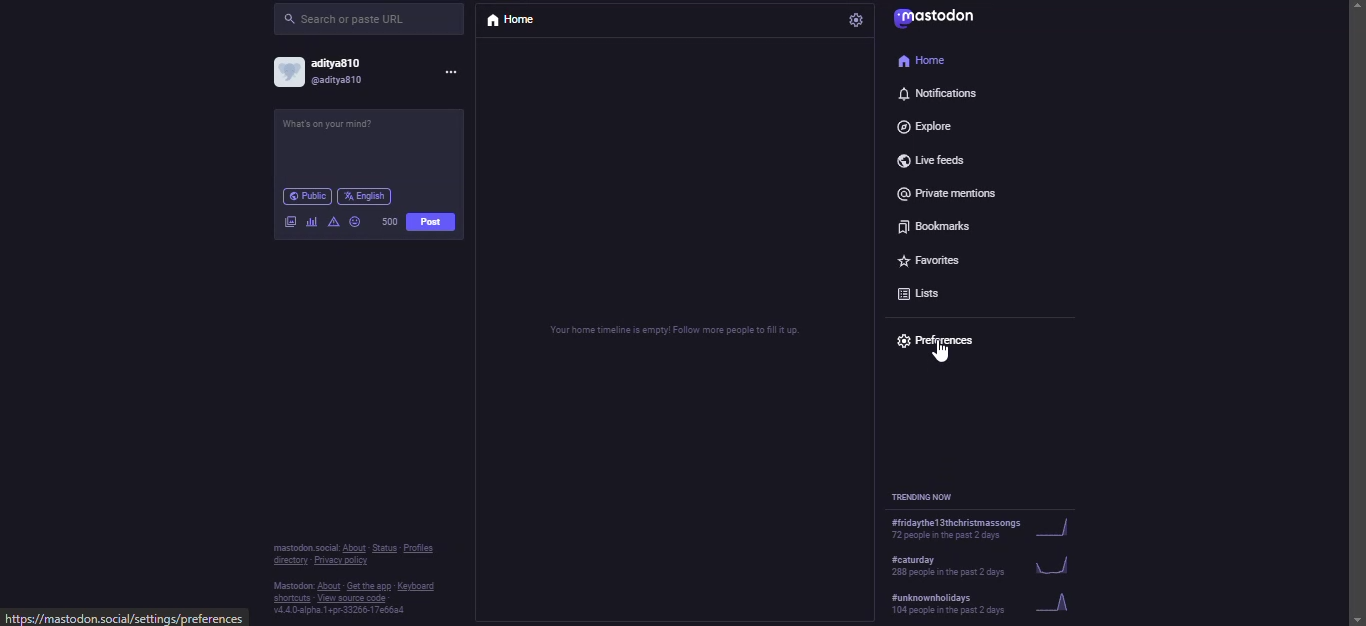 This screenshot has width=1366, height=626. I want to click on explore, so click(926, 126).